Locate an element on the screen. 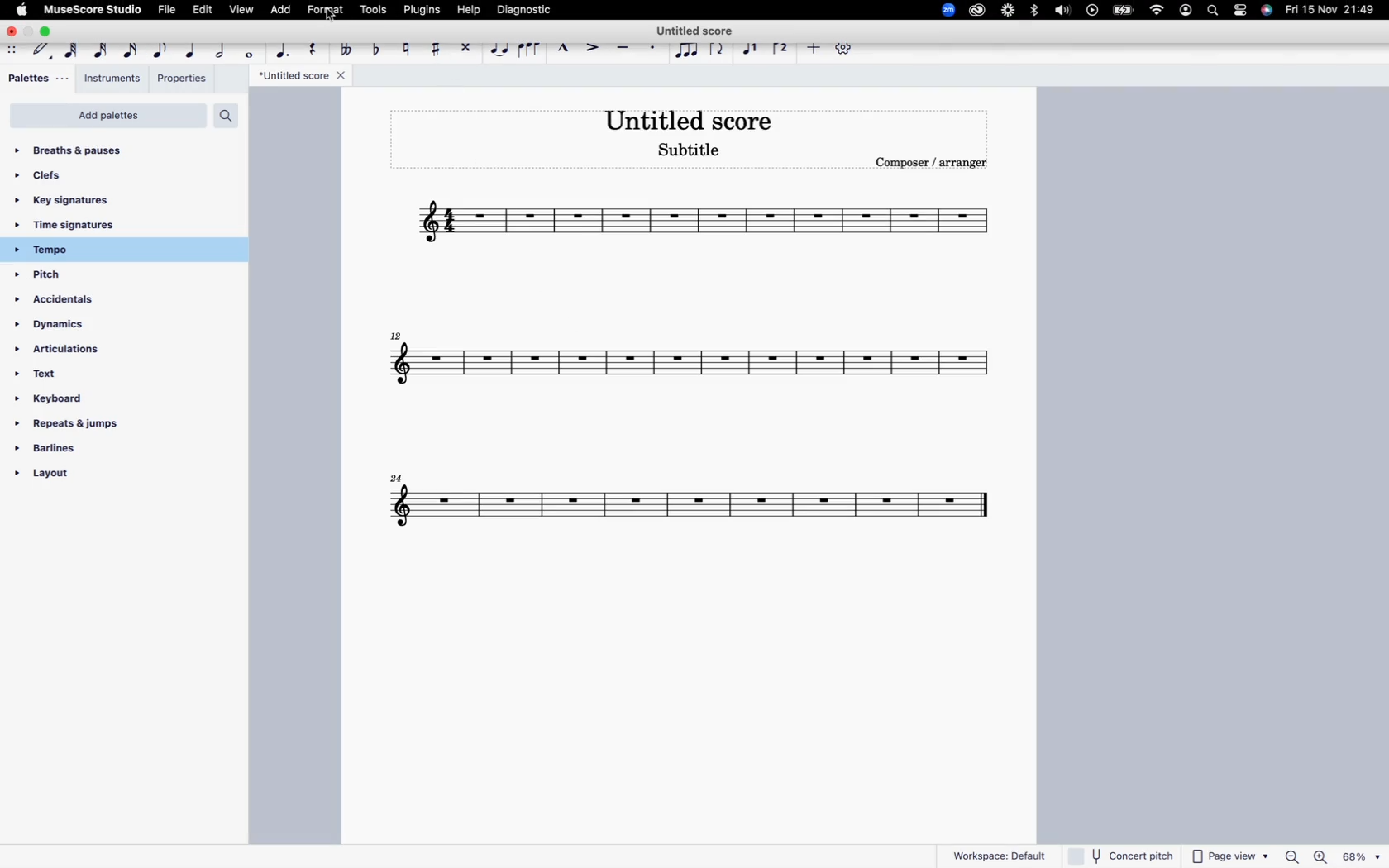  workspace is located at coordinates (1000, 853).